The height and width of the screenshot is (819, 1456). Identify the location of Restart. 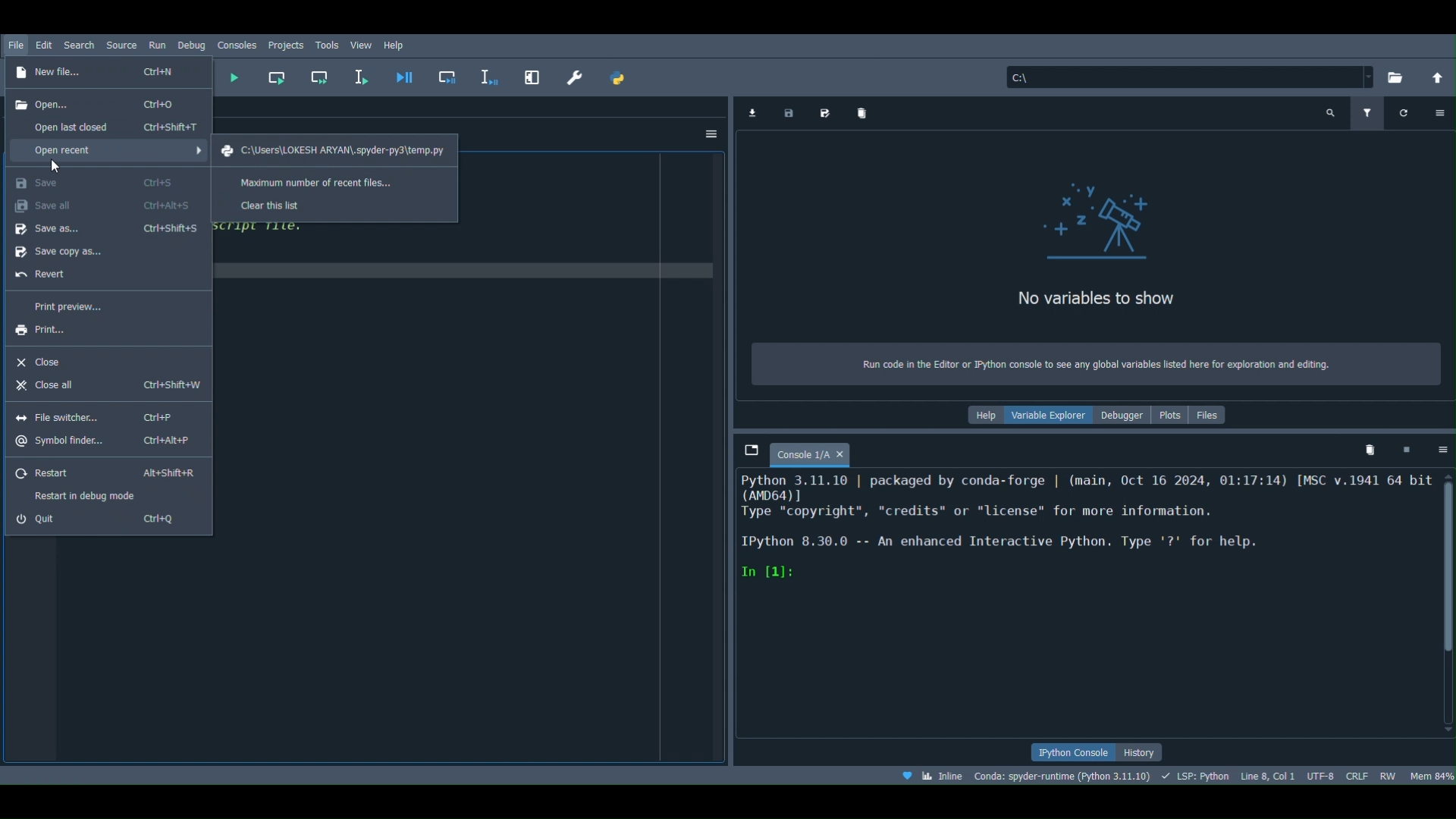
(105, 468).